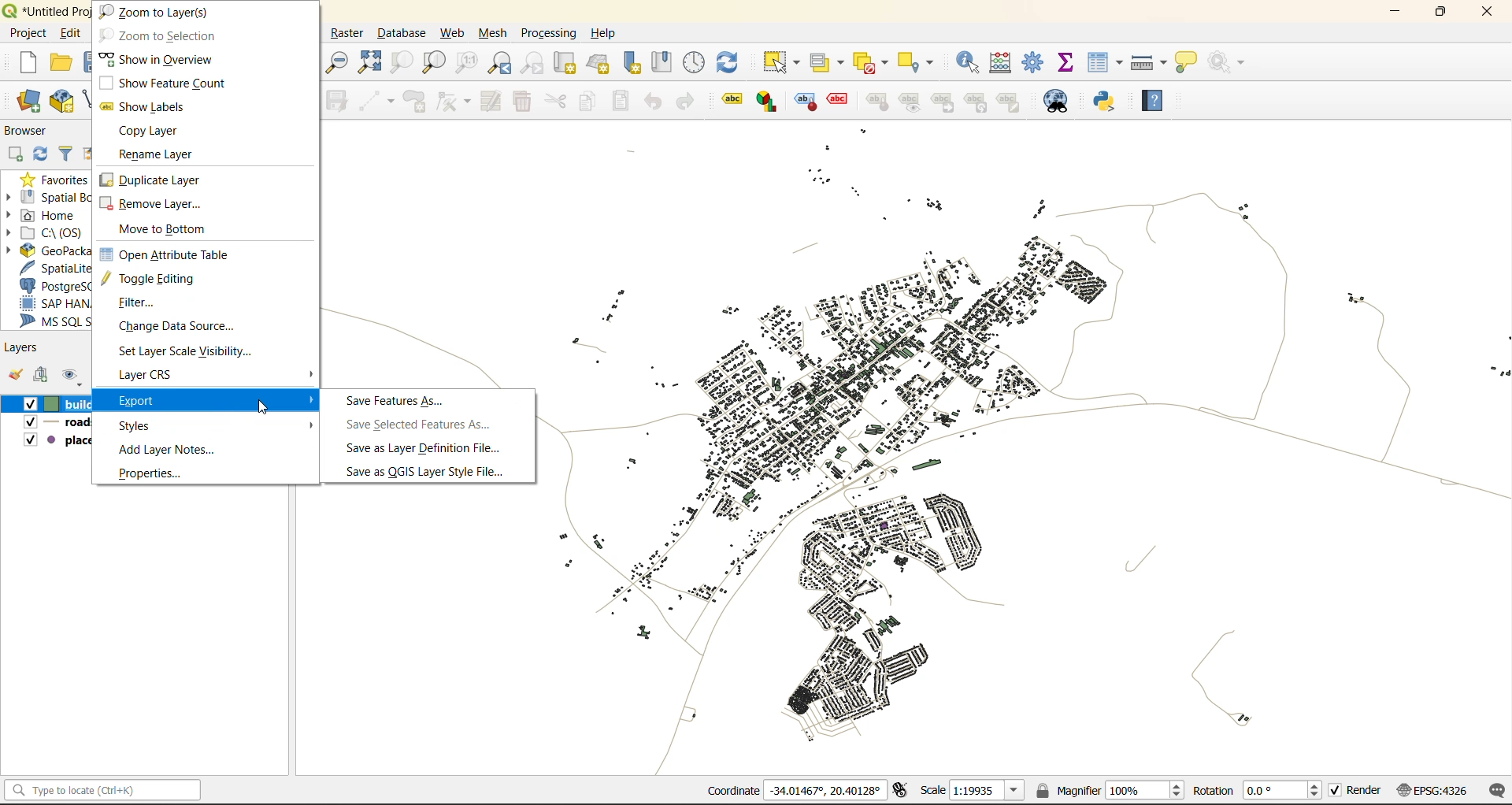 This screenshot has height=805, width=1512. Describe the element at coordinates (656, 100) in the screenshot. I see `undo` at that location.